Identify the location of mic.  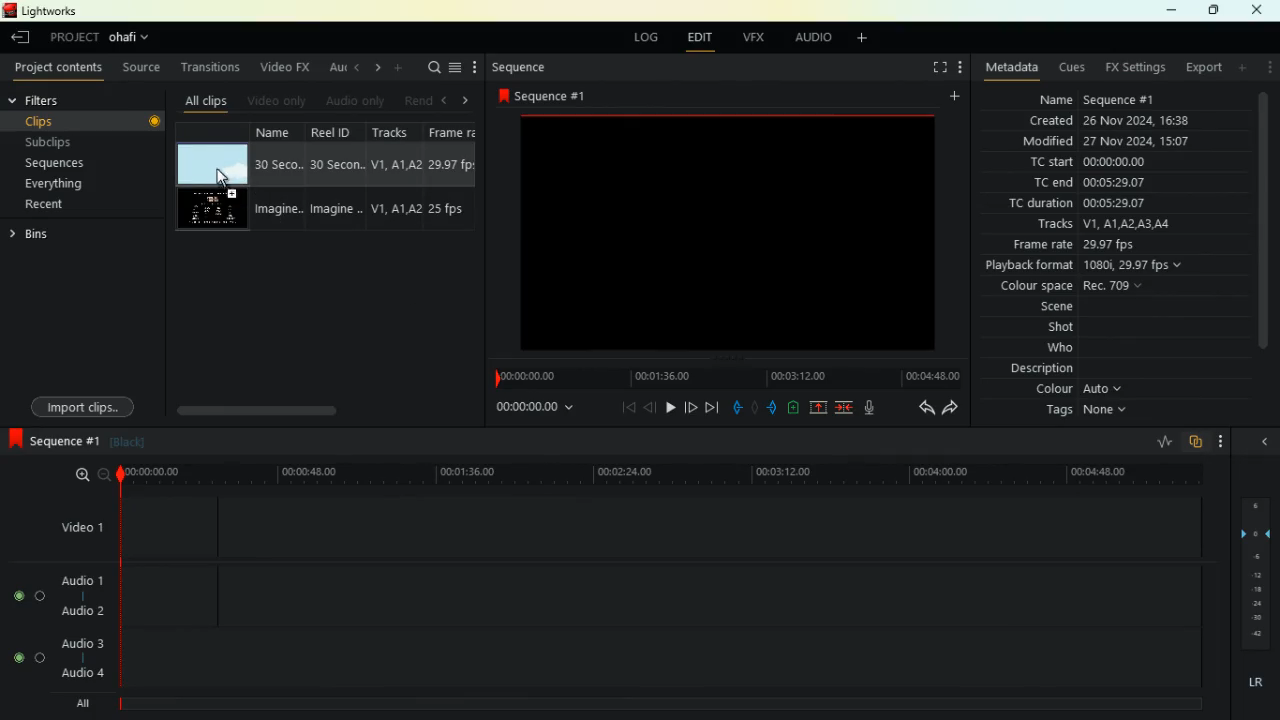
(871, 405).